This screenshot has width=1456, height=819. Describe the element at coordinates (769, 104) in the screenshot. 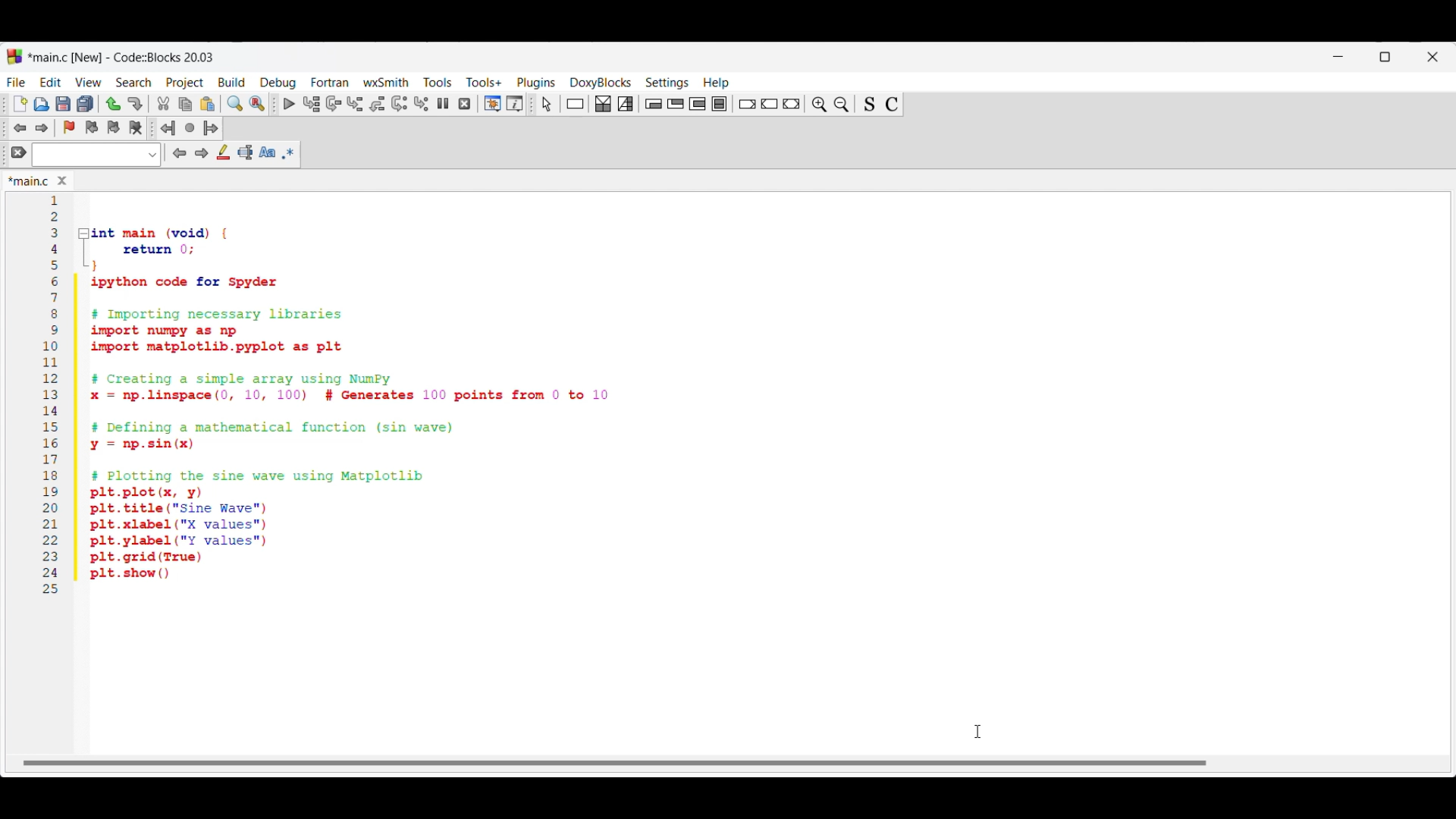

I see `Continue instruction` at that location.